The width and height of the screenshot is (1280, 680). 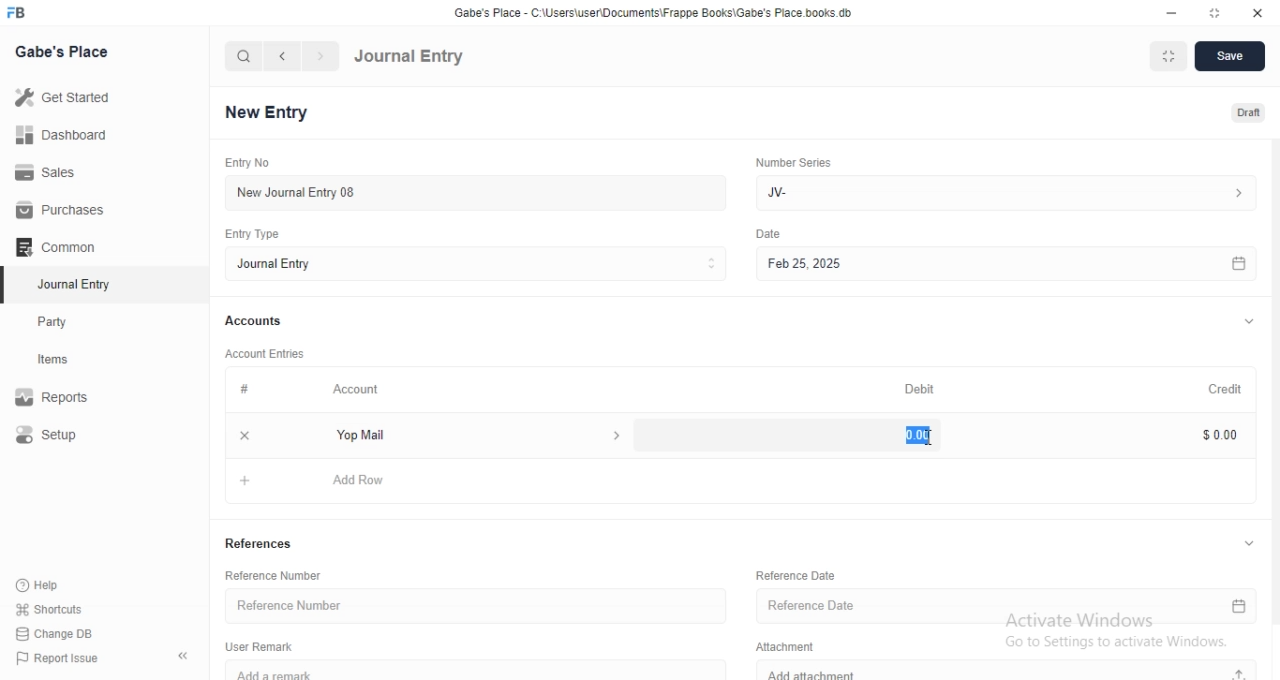 What do you see at coordinates (474, 265) in the screenshot?
I see `Journal Entry` at bounding box center [474, 265].